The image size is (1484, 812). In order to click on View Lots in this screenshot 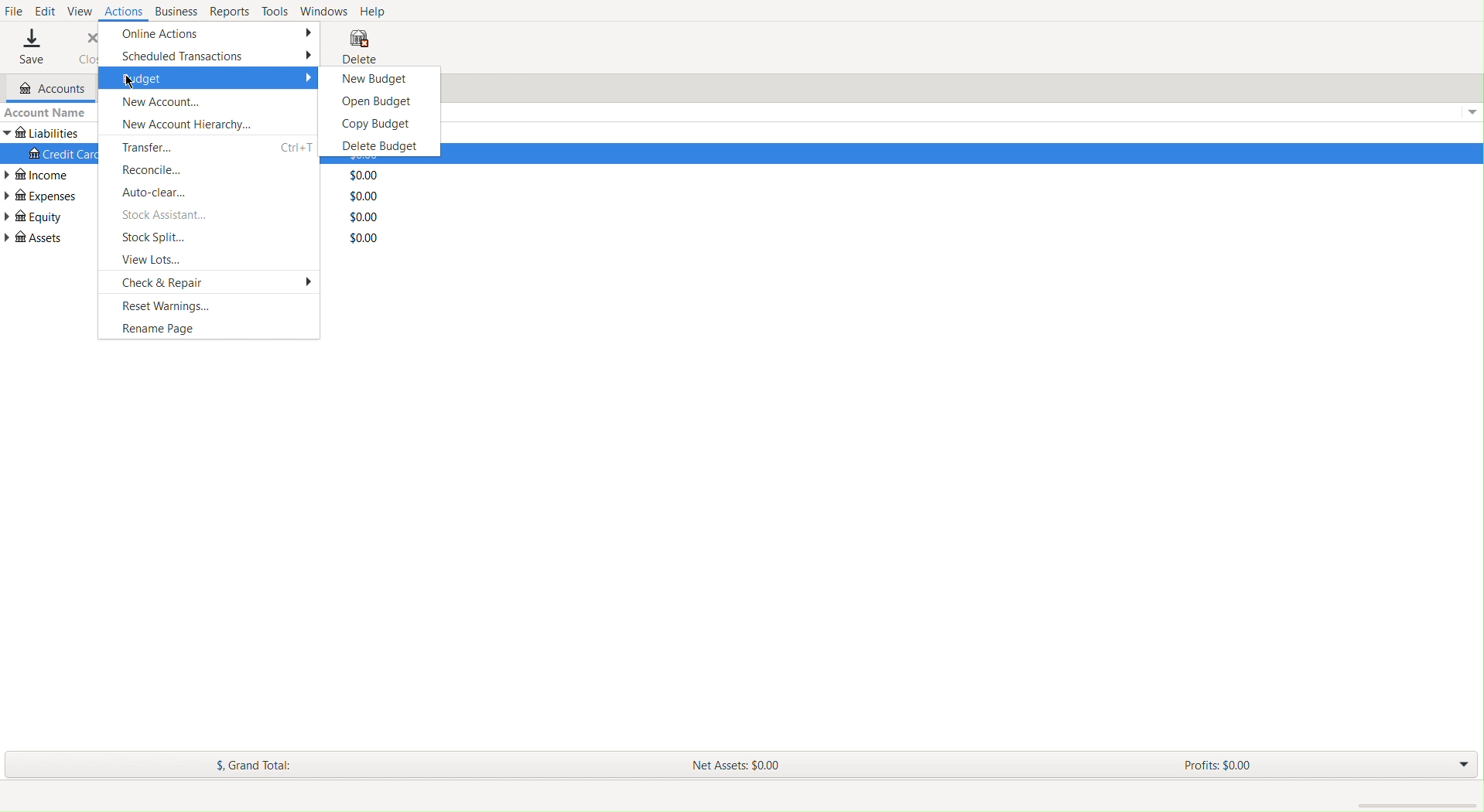, I will do `click(156, 260)`.